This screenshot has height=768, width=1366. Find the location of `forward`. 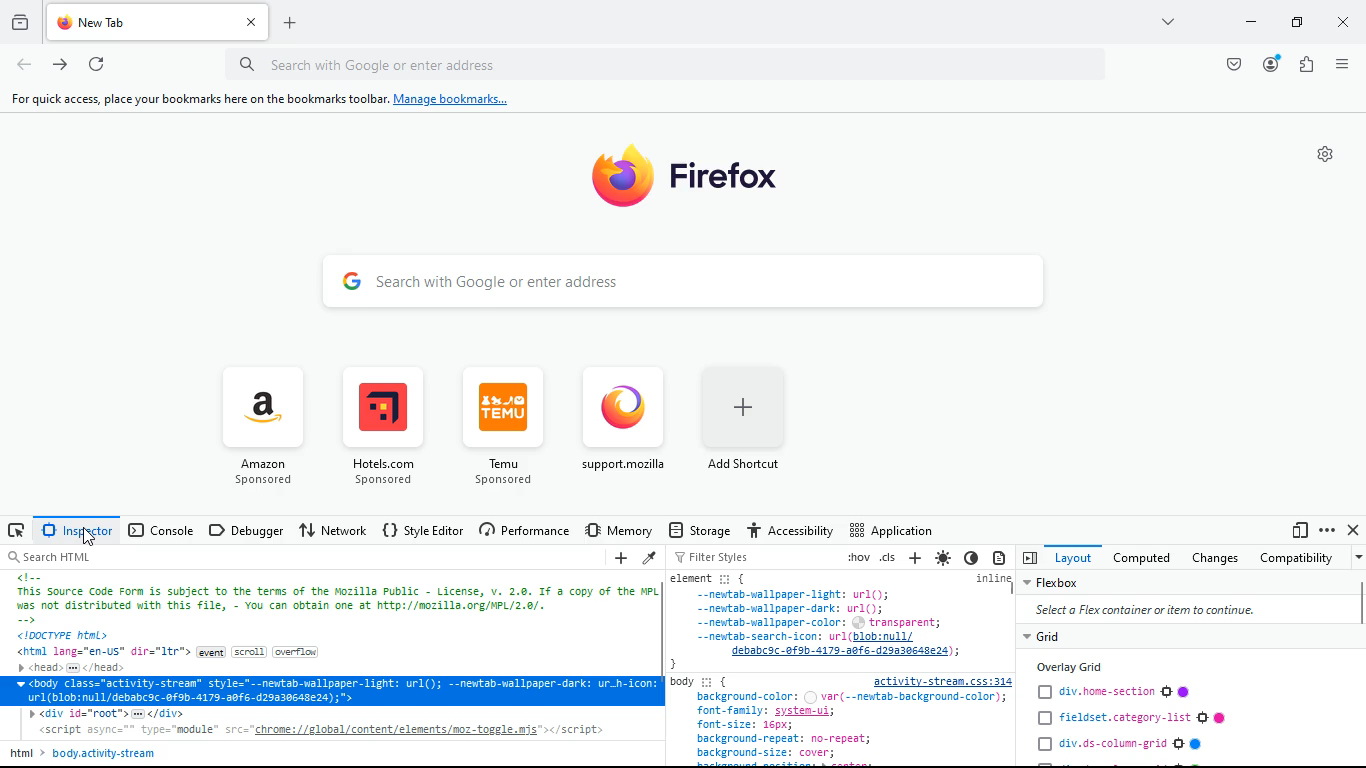

forward is located at coordinates (60, 67).